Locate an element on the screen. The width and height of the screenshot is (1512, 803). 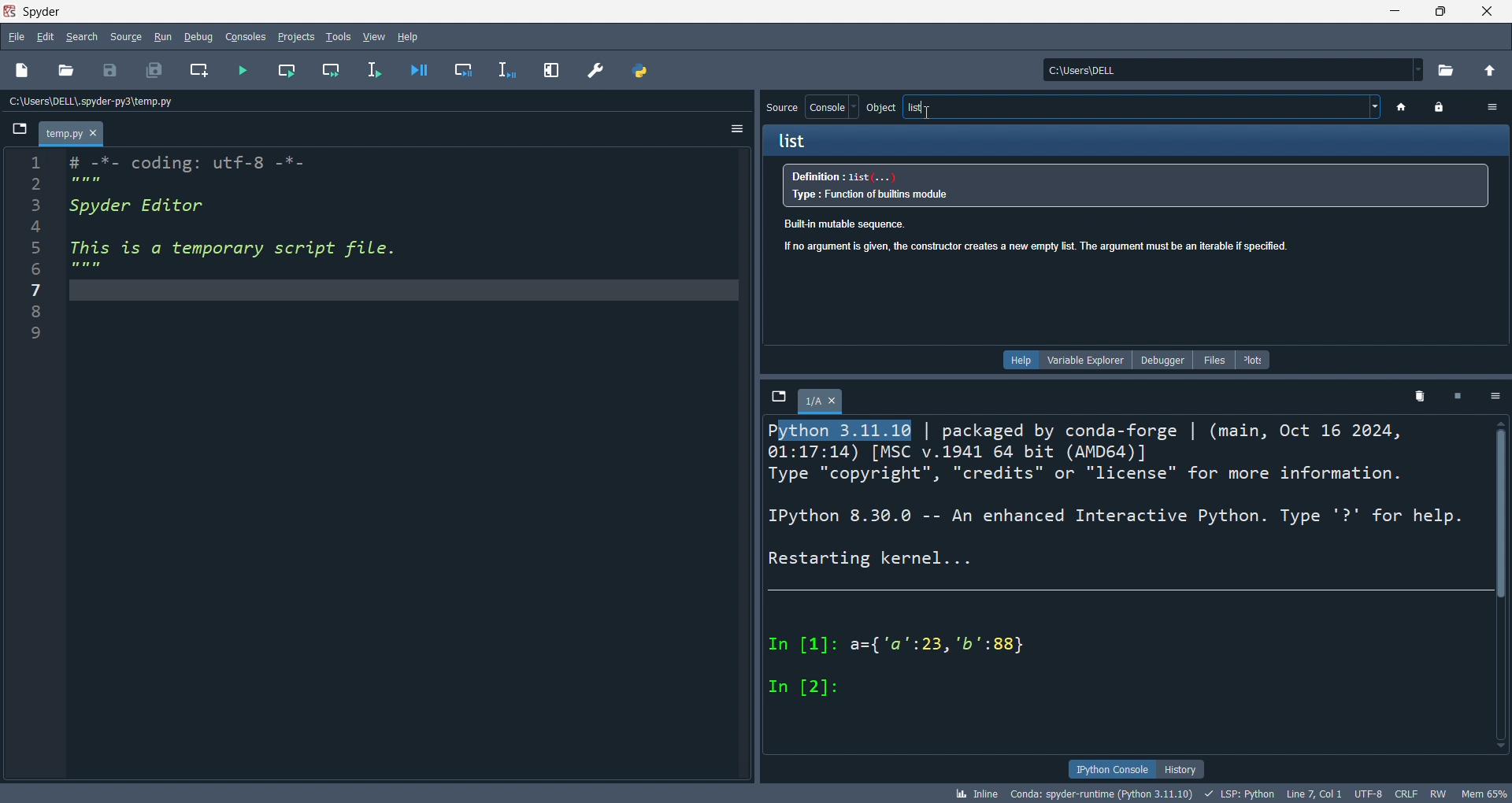
variable explorer is located at coordinates (1084, 361).